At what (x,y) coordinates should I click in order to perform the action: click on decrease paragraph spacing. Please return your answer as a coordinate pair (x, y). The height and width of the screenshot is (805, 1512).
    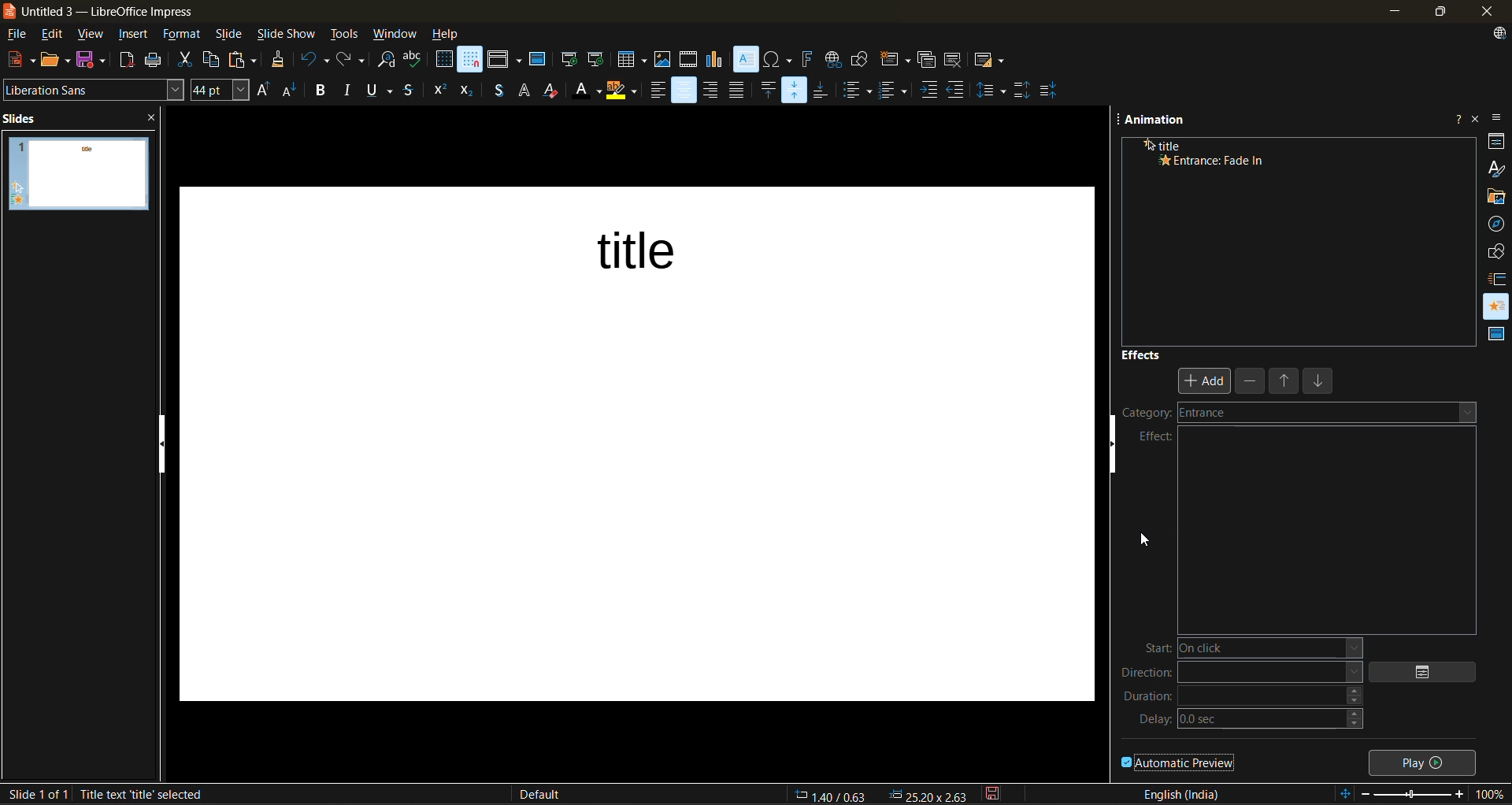
    Looking at the image, I should click on (1050, 91).